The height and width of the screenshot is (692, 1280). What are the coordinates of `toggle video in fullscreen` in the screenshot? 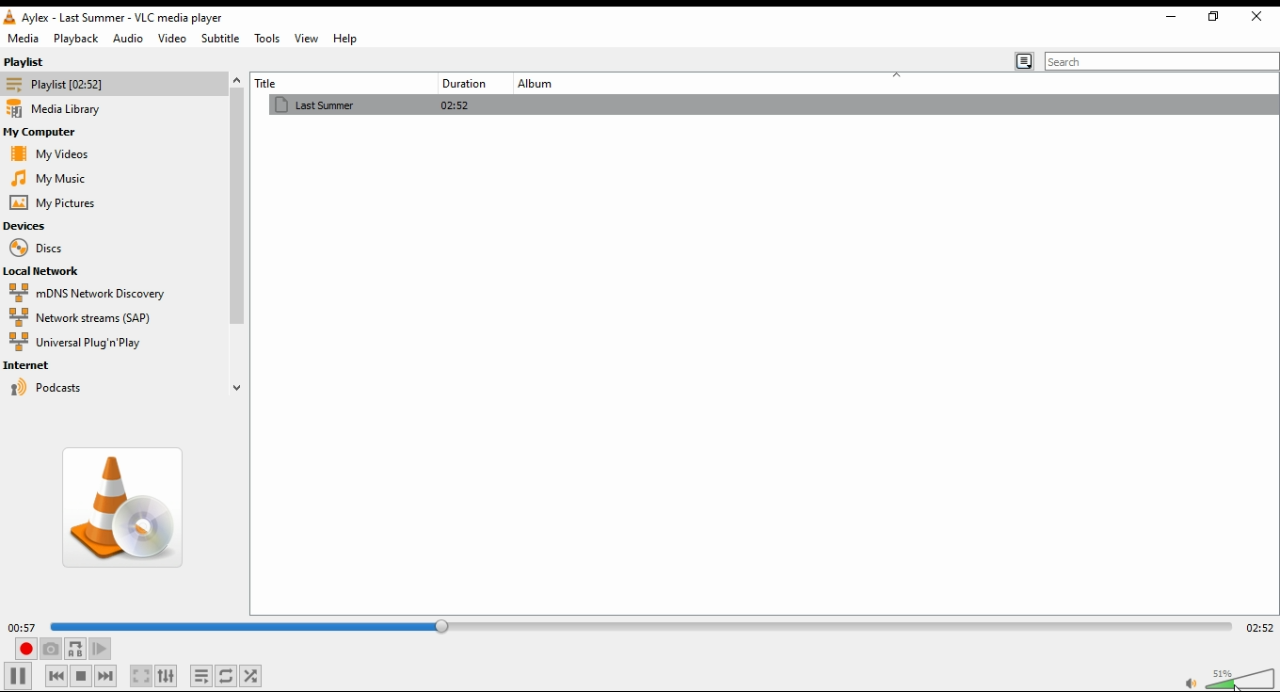 It's located at (139, 675).